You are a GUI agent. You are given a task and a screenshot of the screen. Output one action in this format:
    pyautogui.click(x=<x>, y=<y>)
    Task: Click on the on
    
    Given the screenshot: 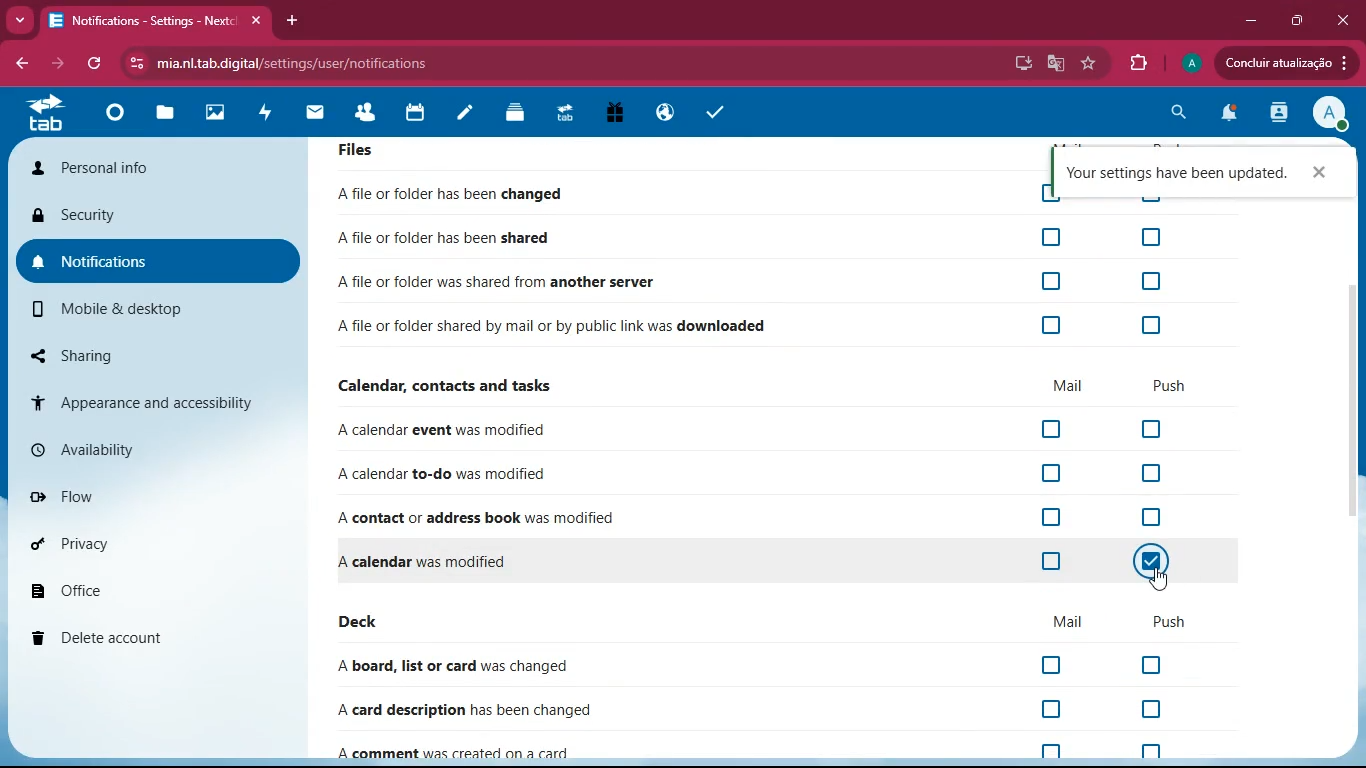 What is the action you would take?
    pyautogui.click(x=1153, y=566)
    